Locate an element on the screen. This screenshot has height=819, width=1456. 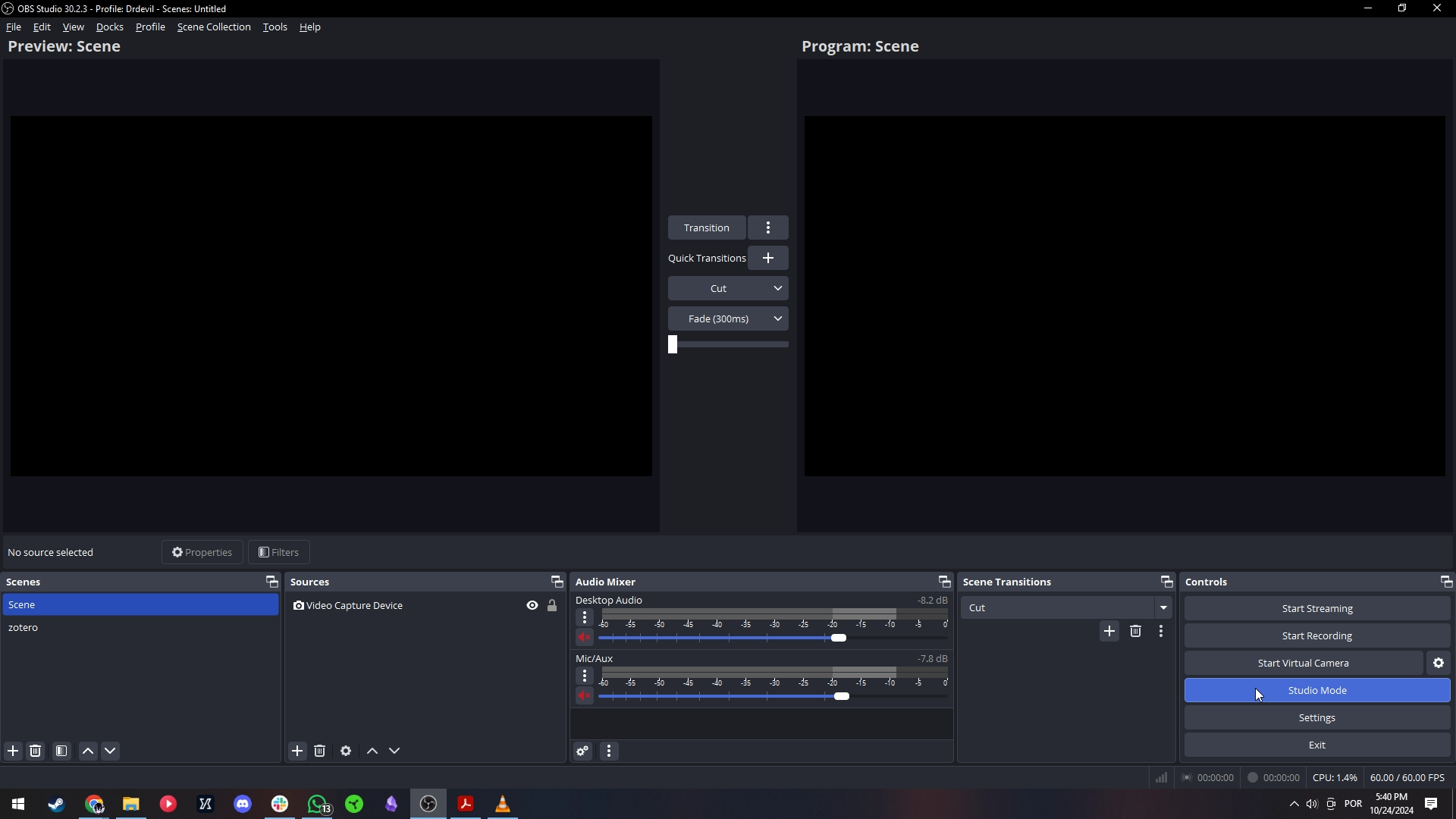
Scenes is located at coordinates (129, 582).